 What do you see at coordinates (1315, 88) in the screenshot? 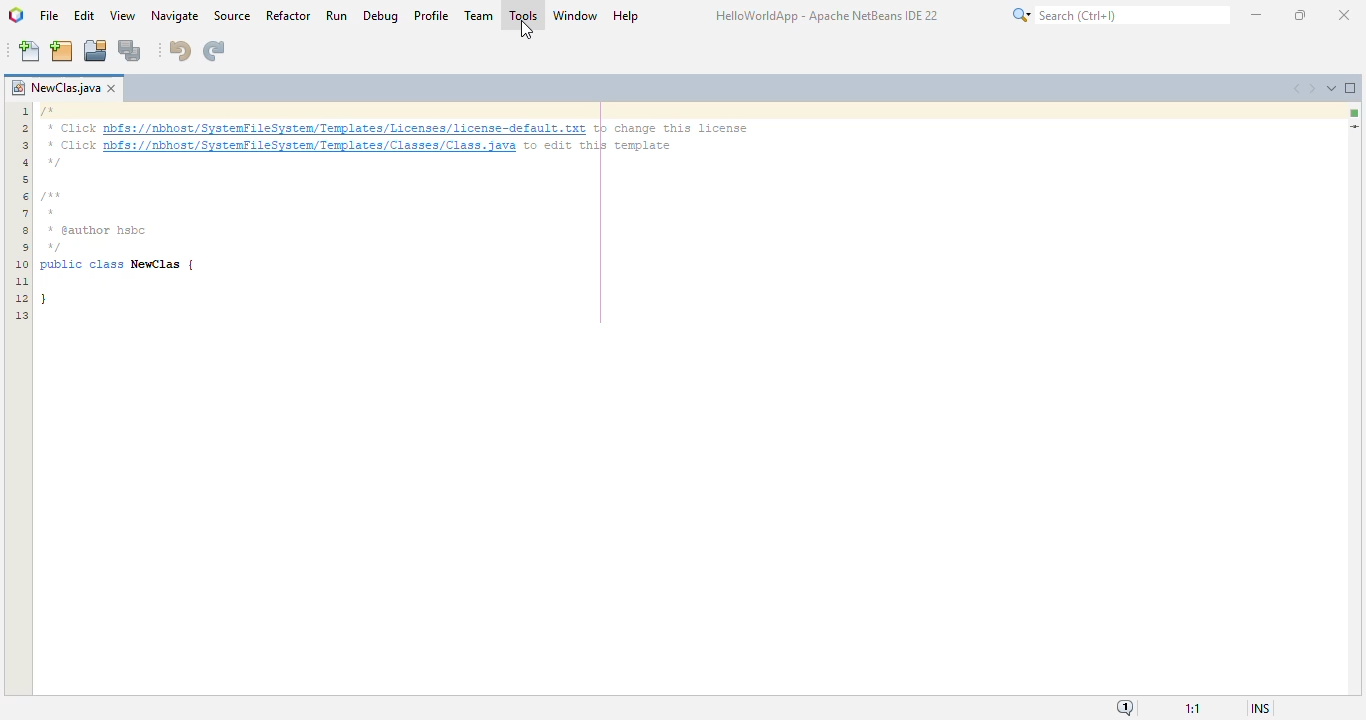
I see `scroll documents right` at bounding box center [1315, 88].